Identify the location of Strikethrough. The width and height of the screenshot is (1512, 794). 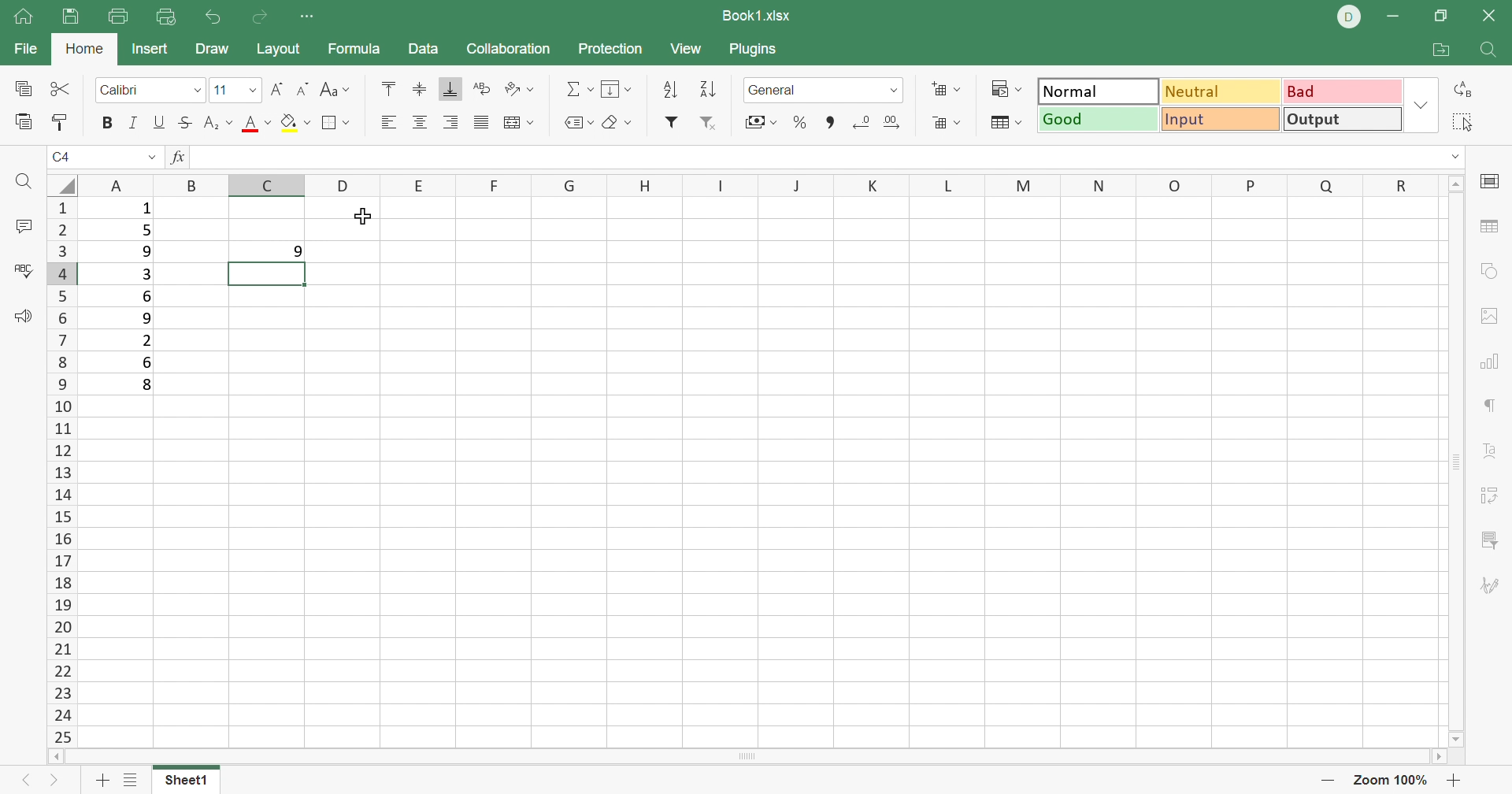
(182, 123).